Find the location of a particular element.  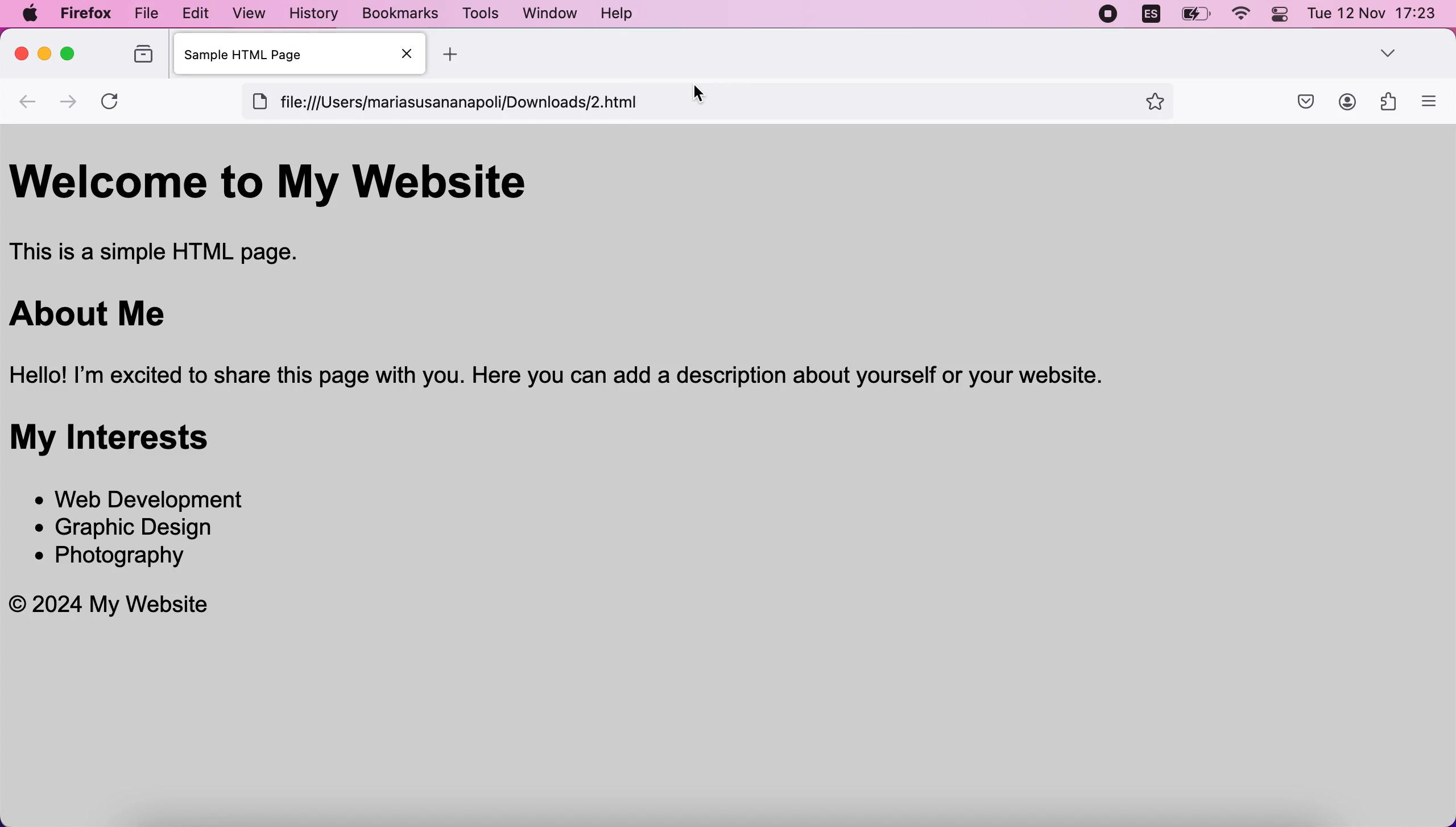

mac logo is located at coordinates (31, 16).